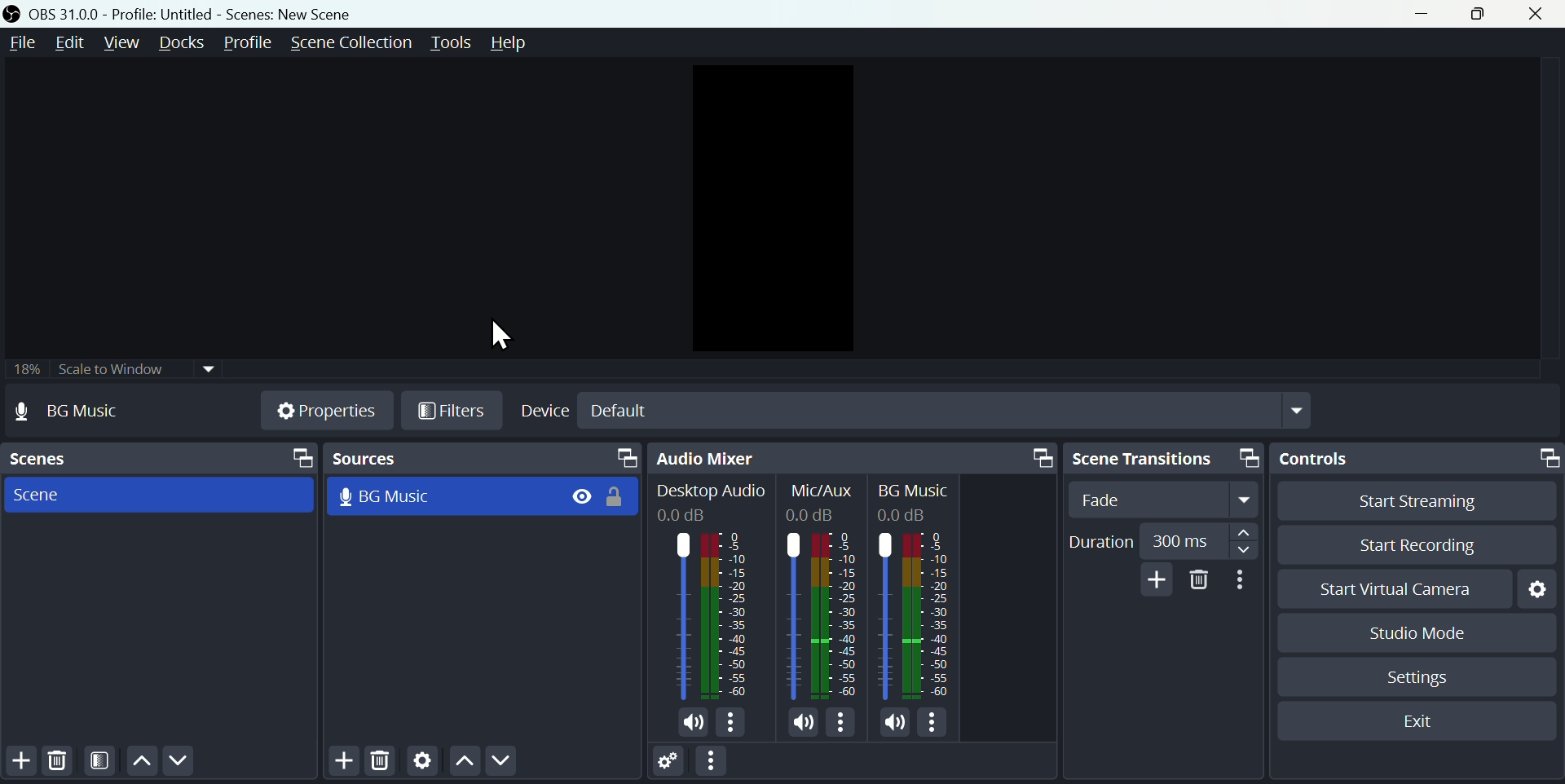 The height and width of the screenshot is (784, 1565). I want to click on start virtual camera, so click(1397, 591).